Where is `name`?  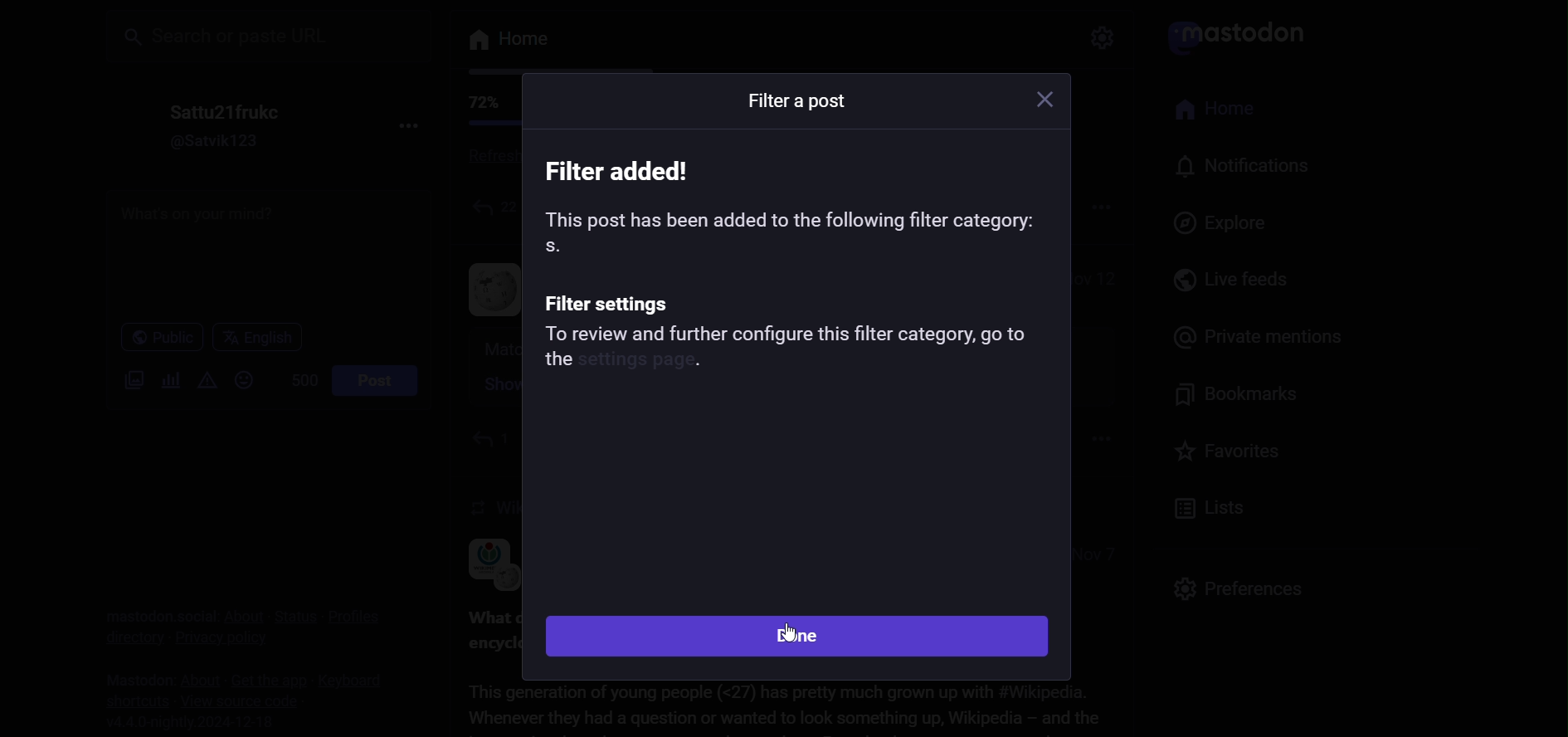 name is located at coordinates (221, 110).